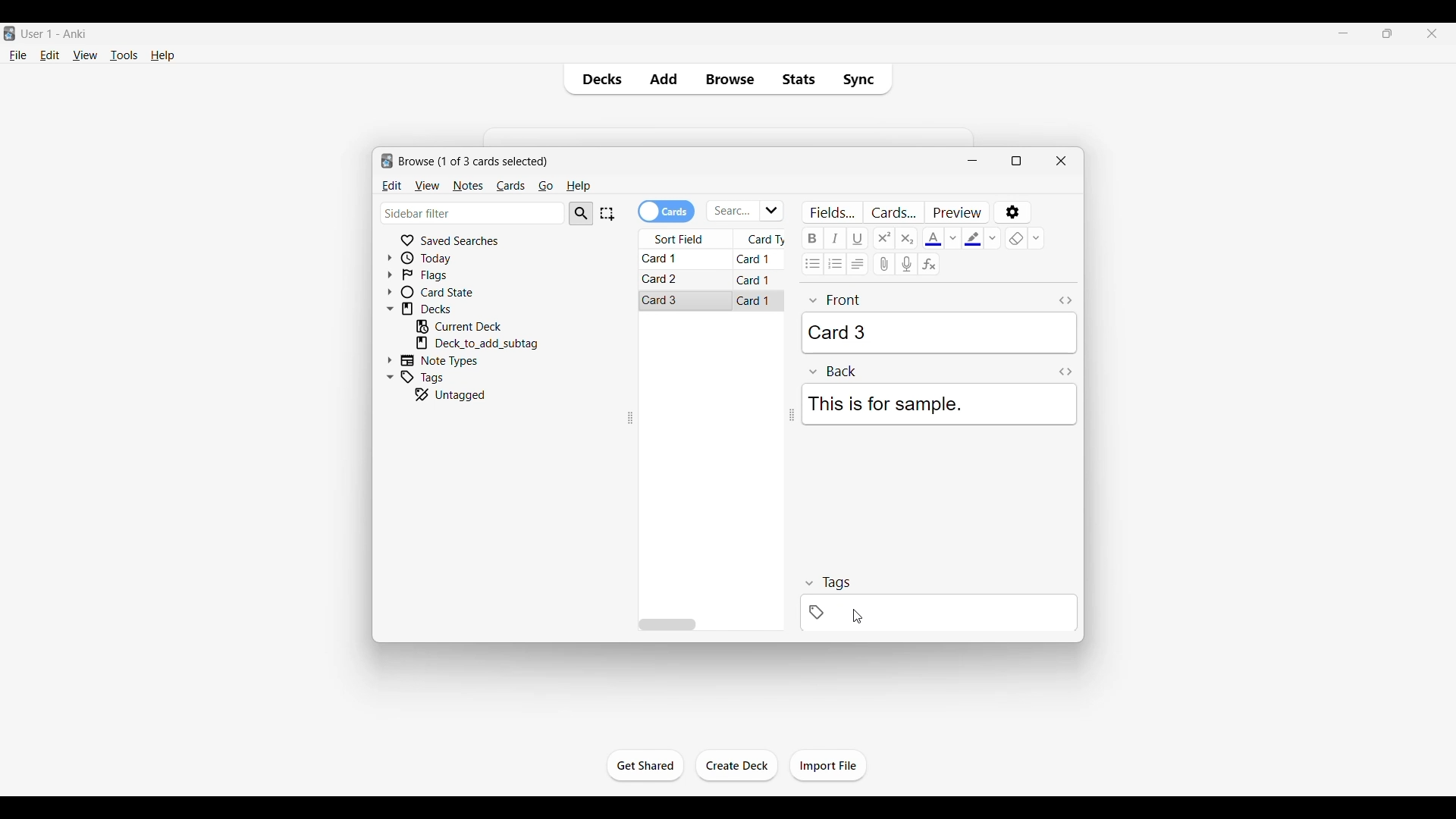 The width and height of the screenshot is (1456, 819). Describe the element at coordinates (663, 300) in the screenshot. I see `Card 3` at that location.